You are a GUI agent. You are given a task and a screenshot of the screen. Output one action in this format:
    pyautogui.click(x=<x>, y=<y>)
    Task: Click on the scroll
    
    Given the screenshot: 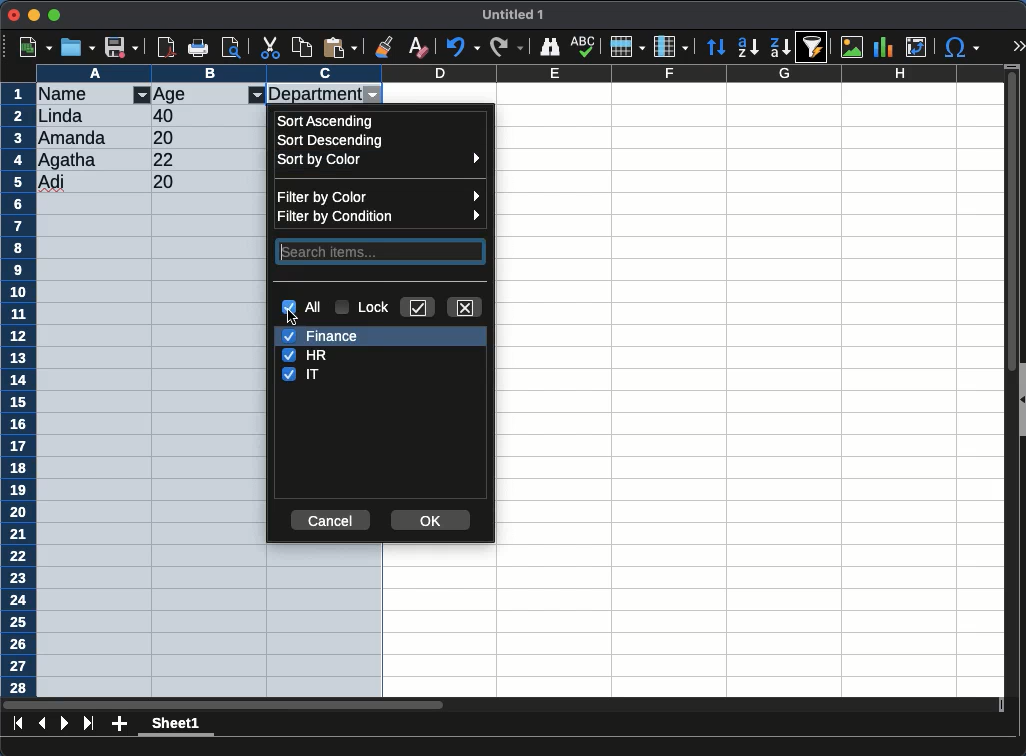 What is the action you would take?
    pyautogui.click(x=1004, y=386)
    